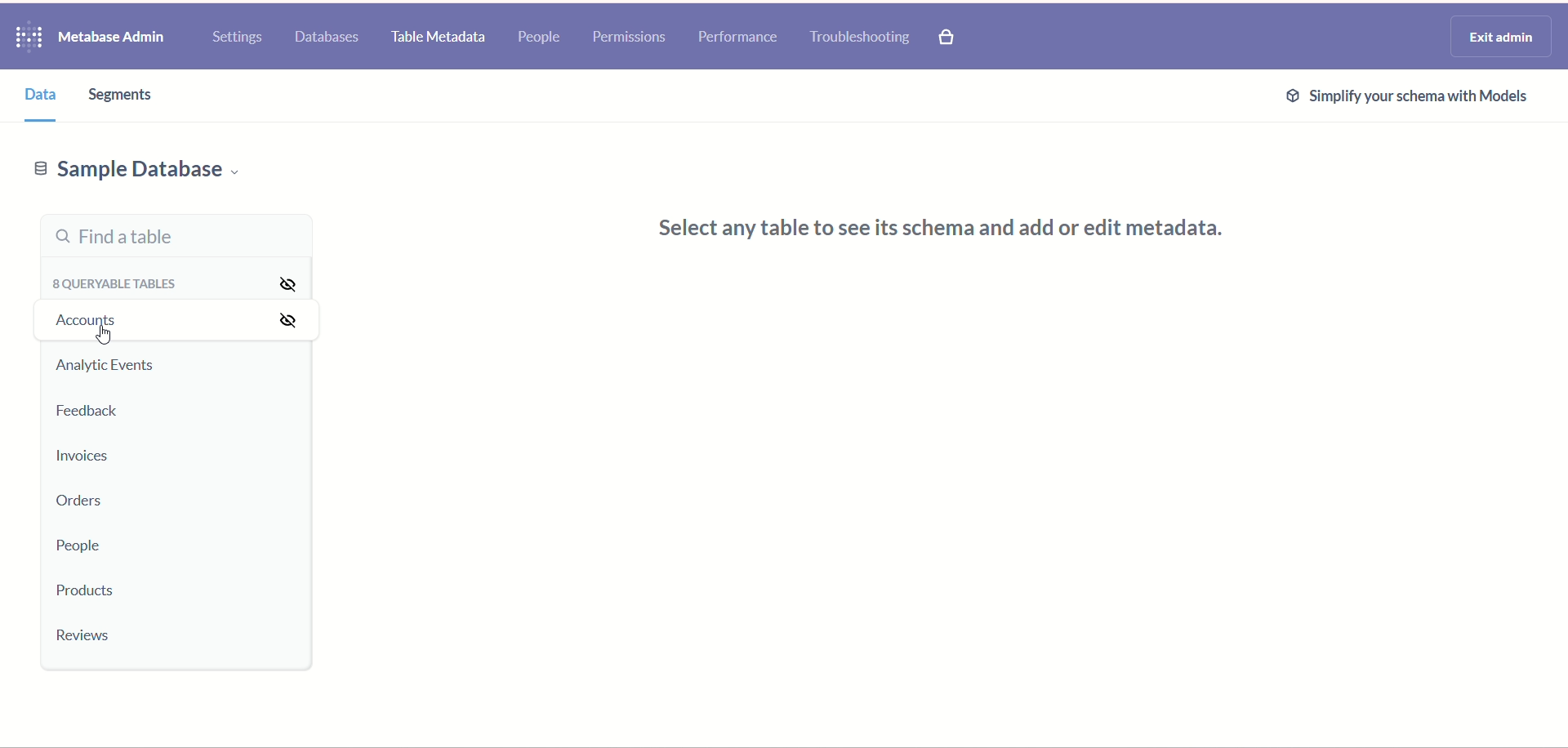  Describe the element at coordinates (1502, 37) in the screenshot. I see `exit admin` at that location.